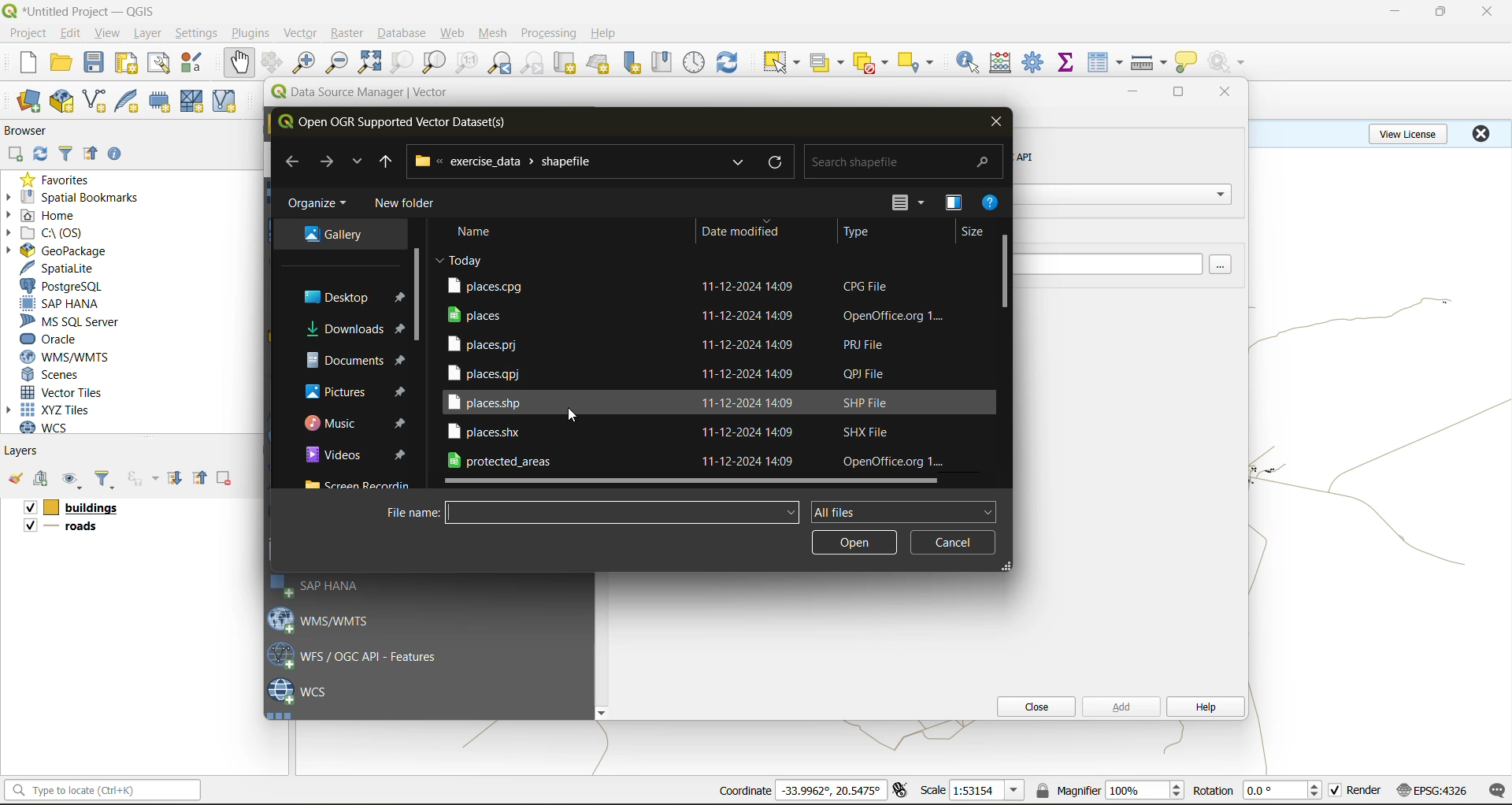 This screenshot has height=805, width=1512. I want to click on crs, so click(1432, 789).